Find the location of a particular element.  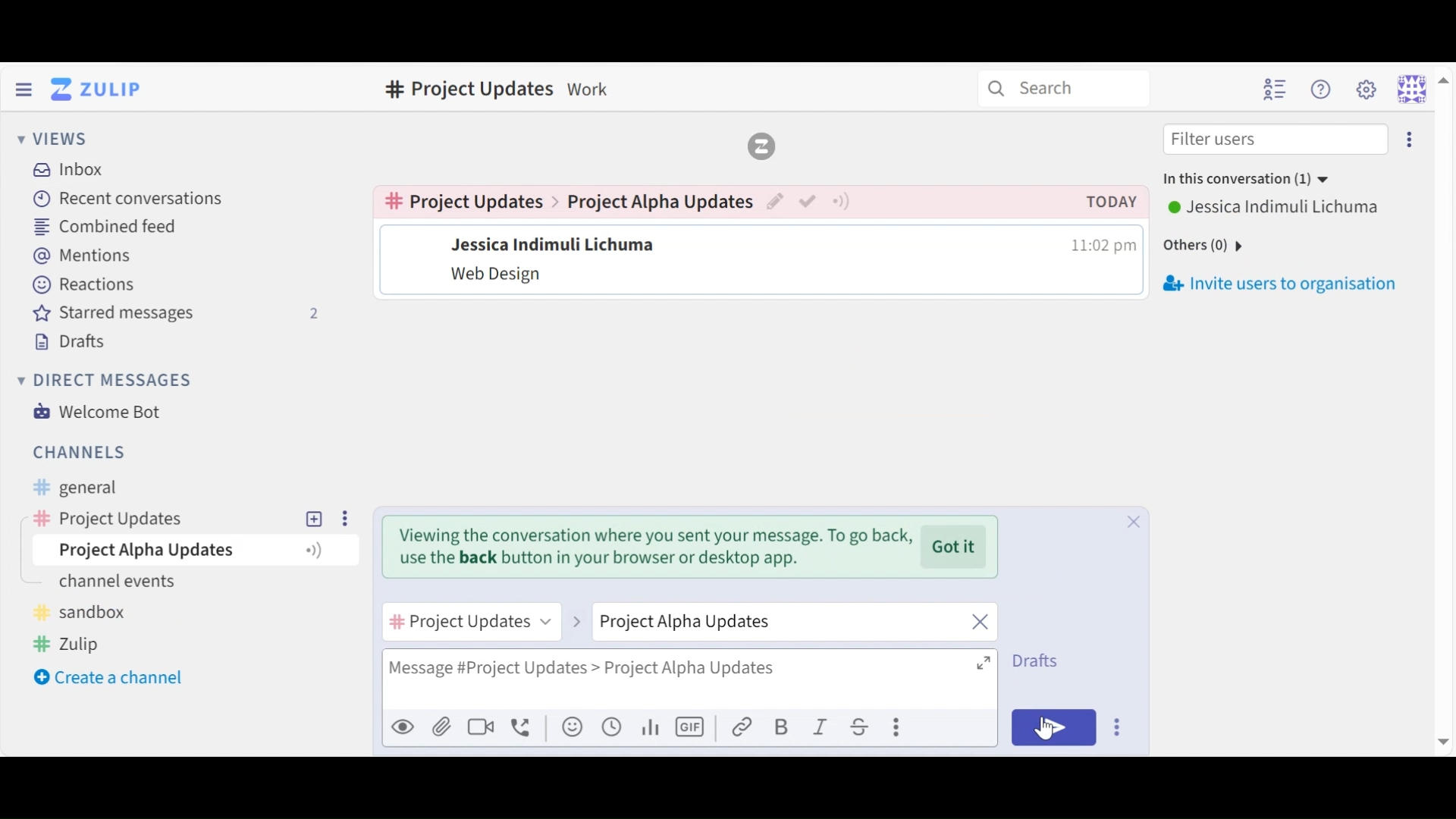

Hide user list is located at coordinates (1275, 89).